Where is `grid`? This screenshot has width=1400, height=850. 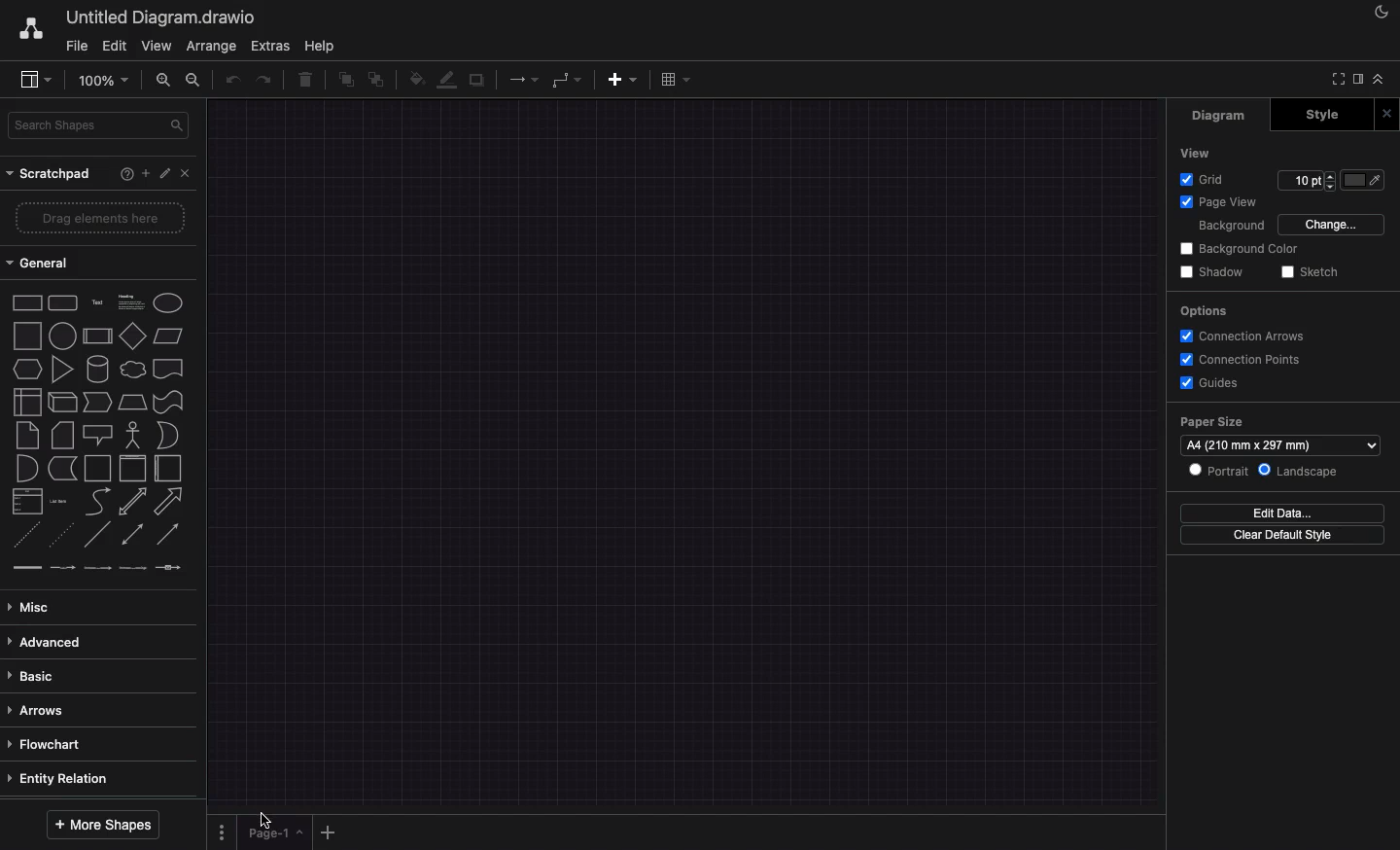 grid is located at coordinates (1202, 181).